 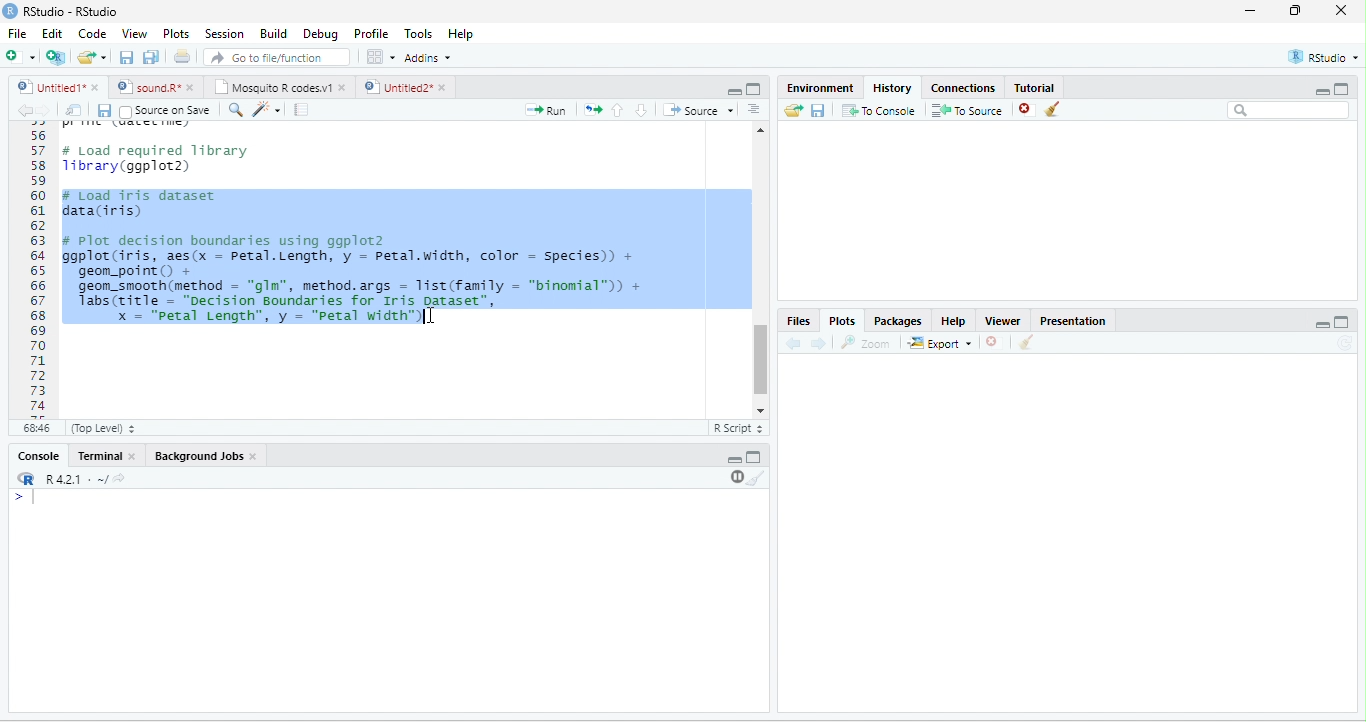 I want to click on scroll down, so click(x=760, y=411).